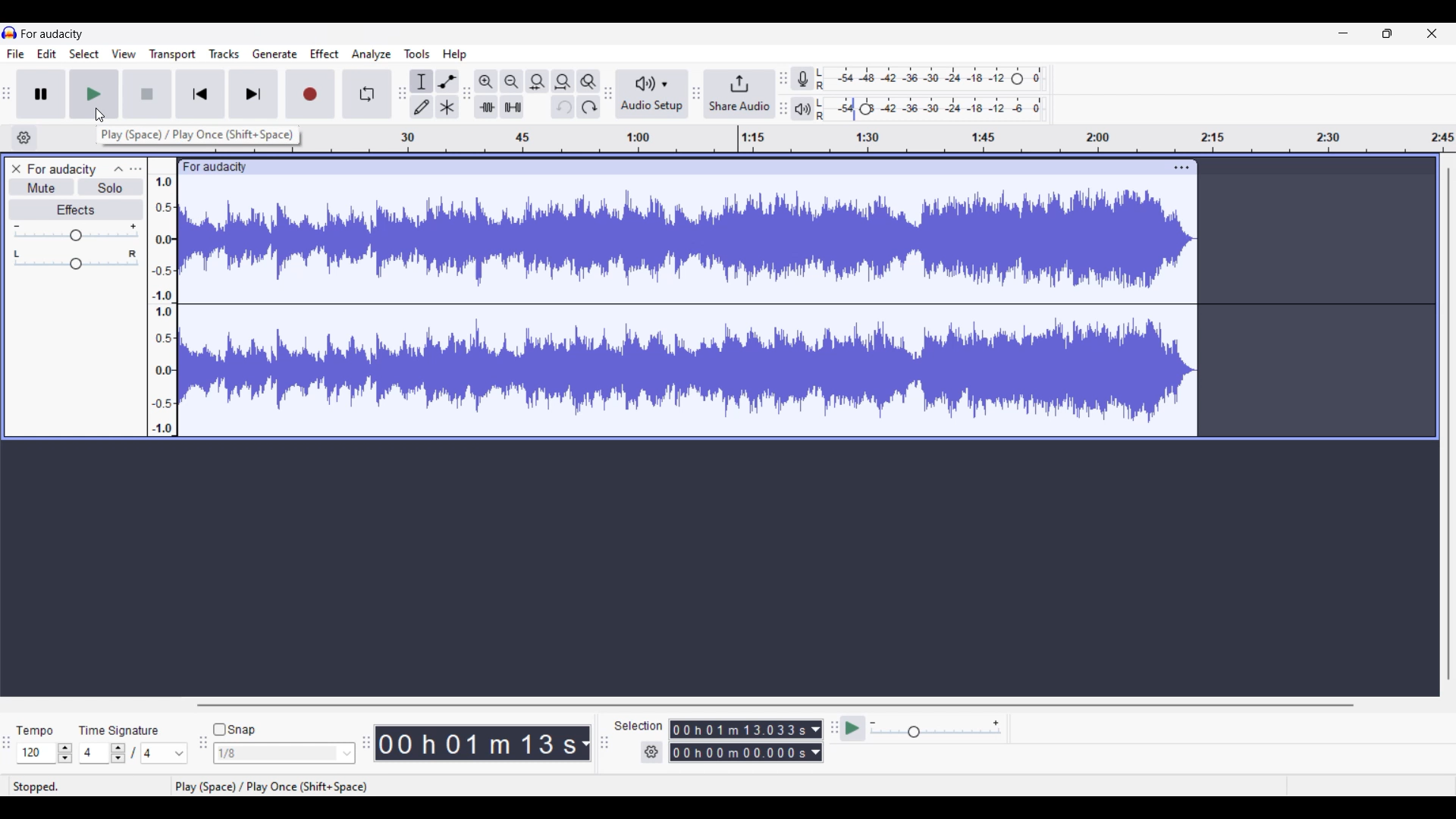 Image resolution: width=1456 pixels, height=819 pixels. What do you see at coordinates (1343, 33) in the screenshot?
I see `Minimize` at bounding box center [1343, 33].